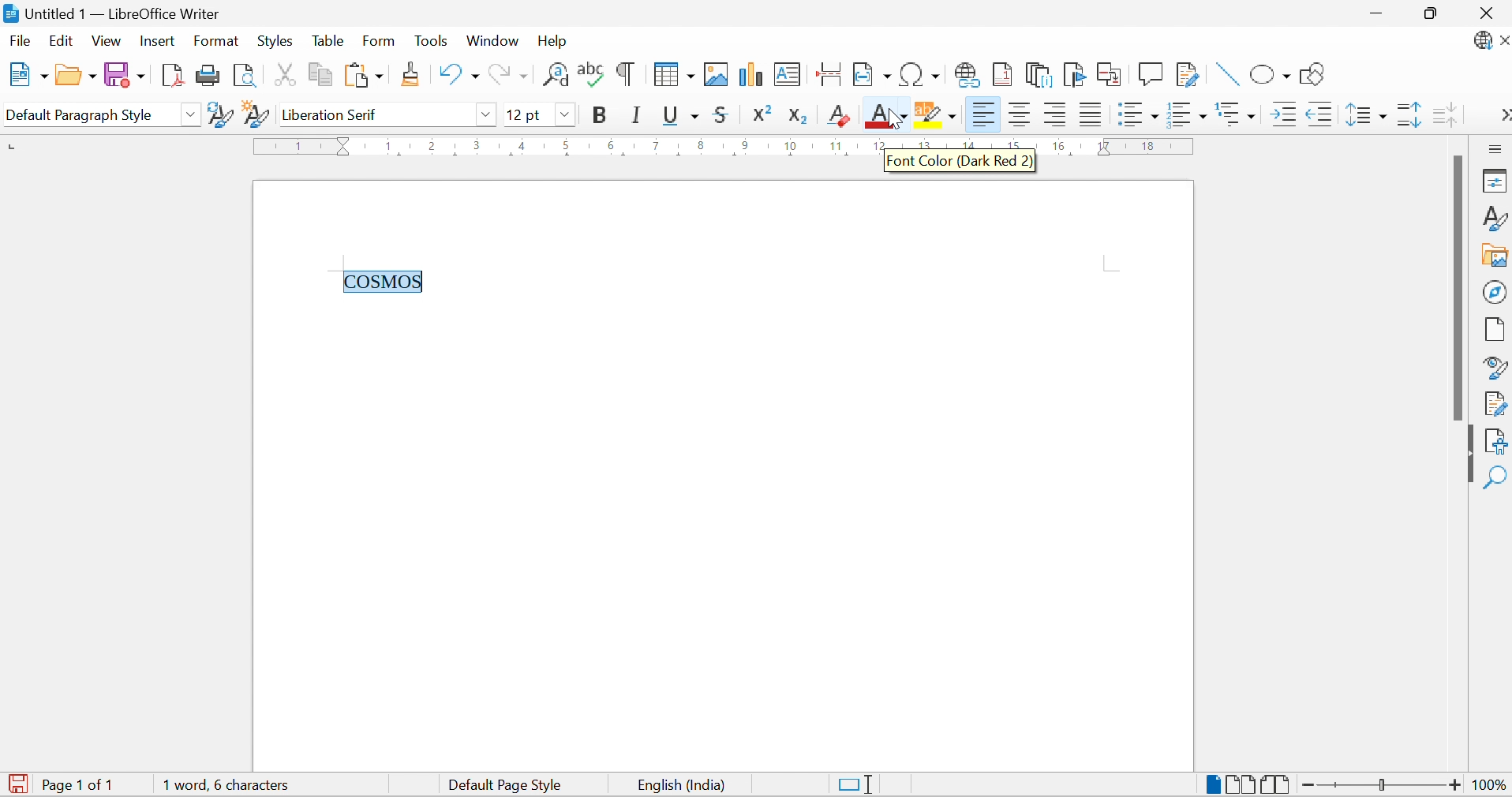  What do you see at coordinates (791, 146) in the screenshot?
I see `10` at bounding box center [791, 146].